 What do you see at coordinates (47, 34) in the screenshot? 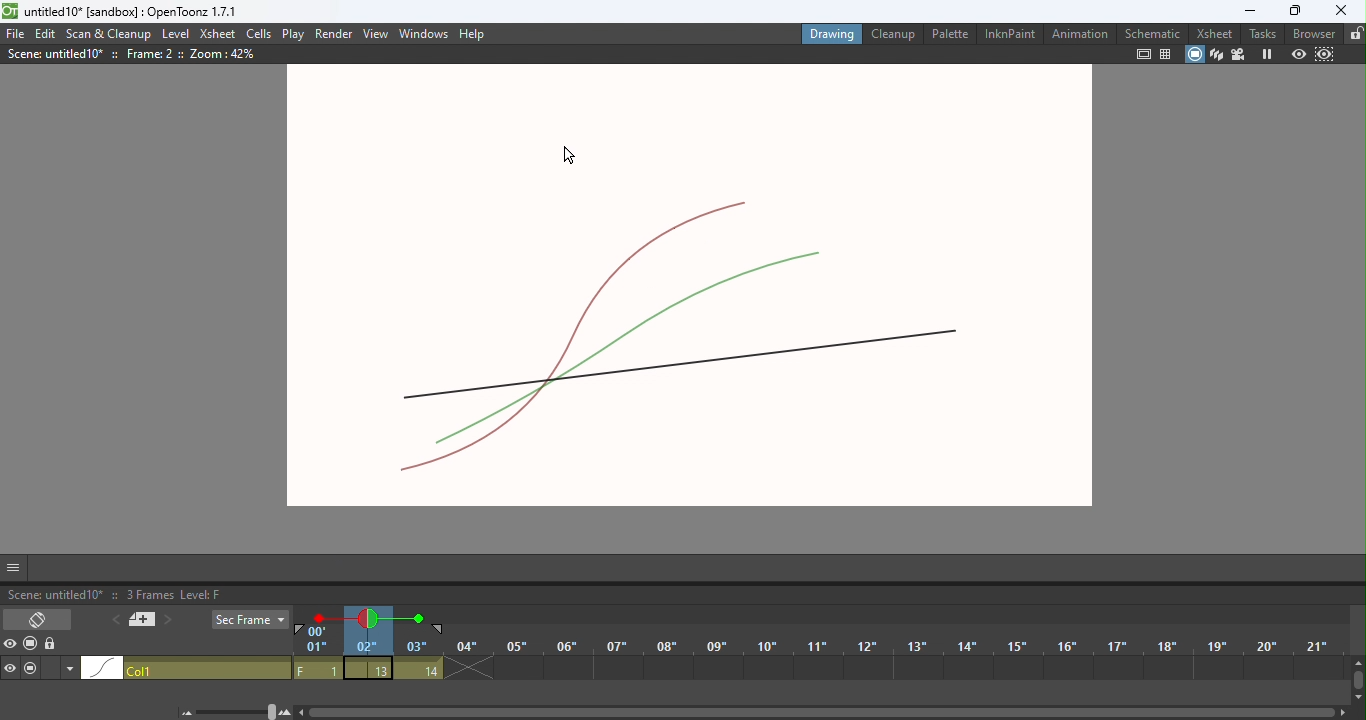
I see `Edit` at bounding box center [47, 34].